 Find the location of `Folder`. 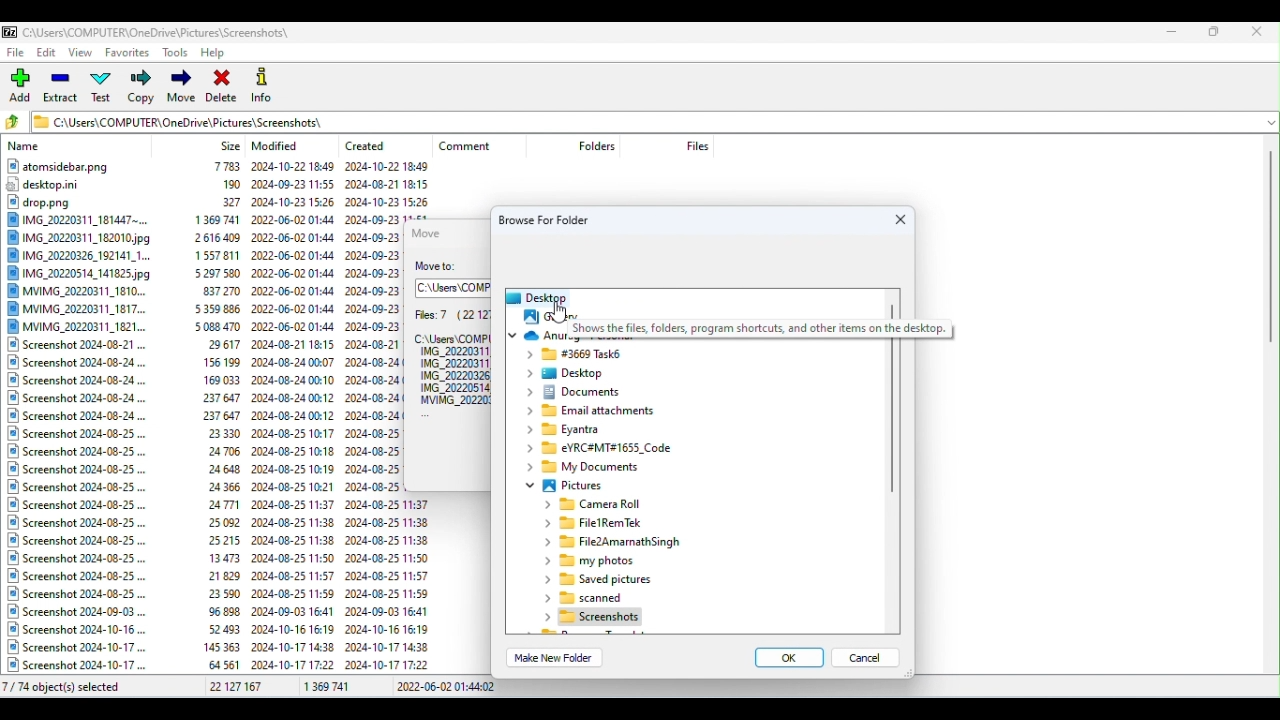

Folder is located at coordinates (586, 469).